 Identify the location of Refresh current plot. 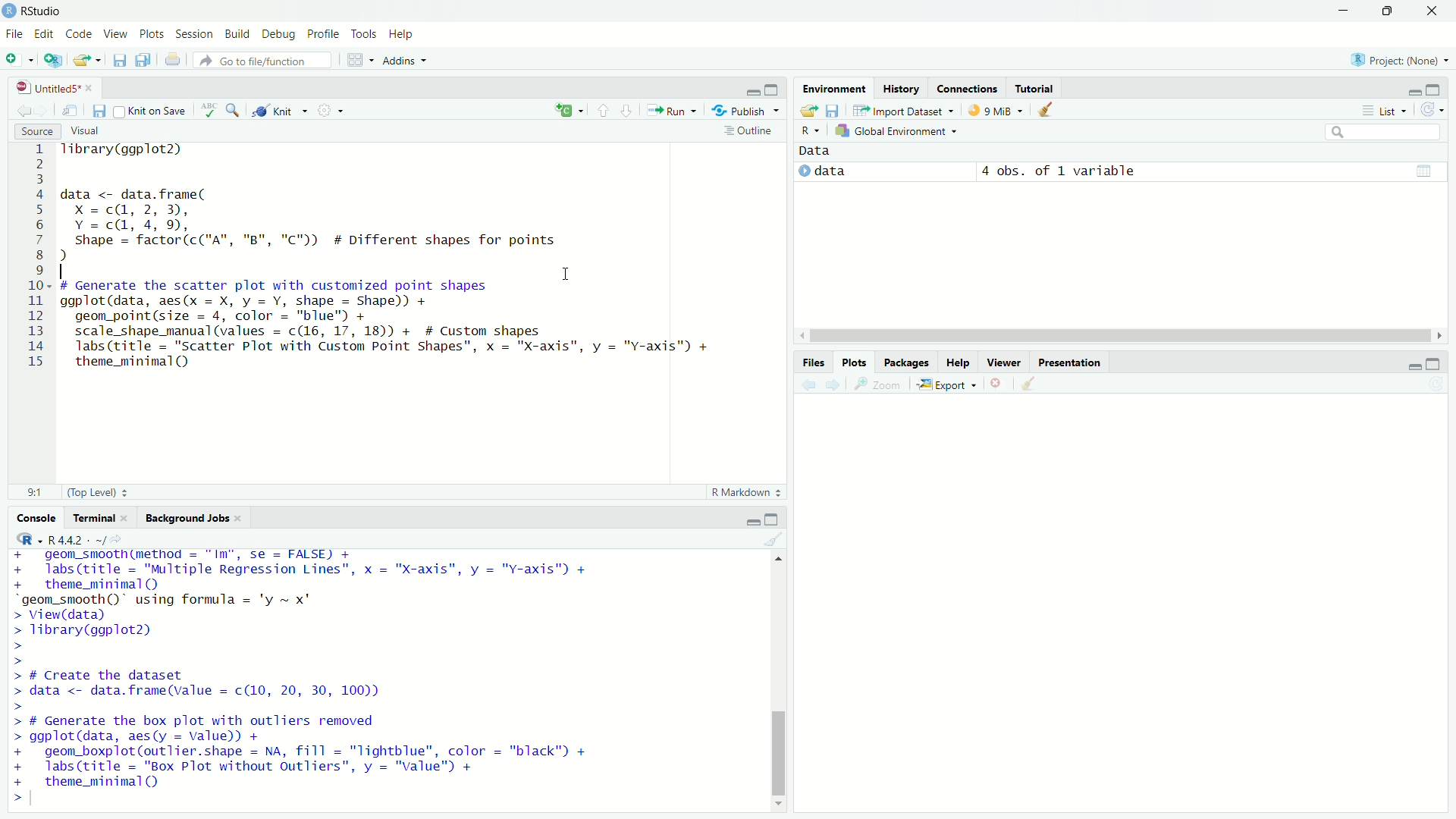
(1437, 384).